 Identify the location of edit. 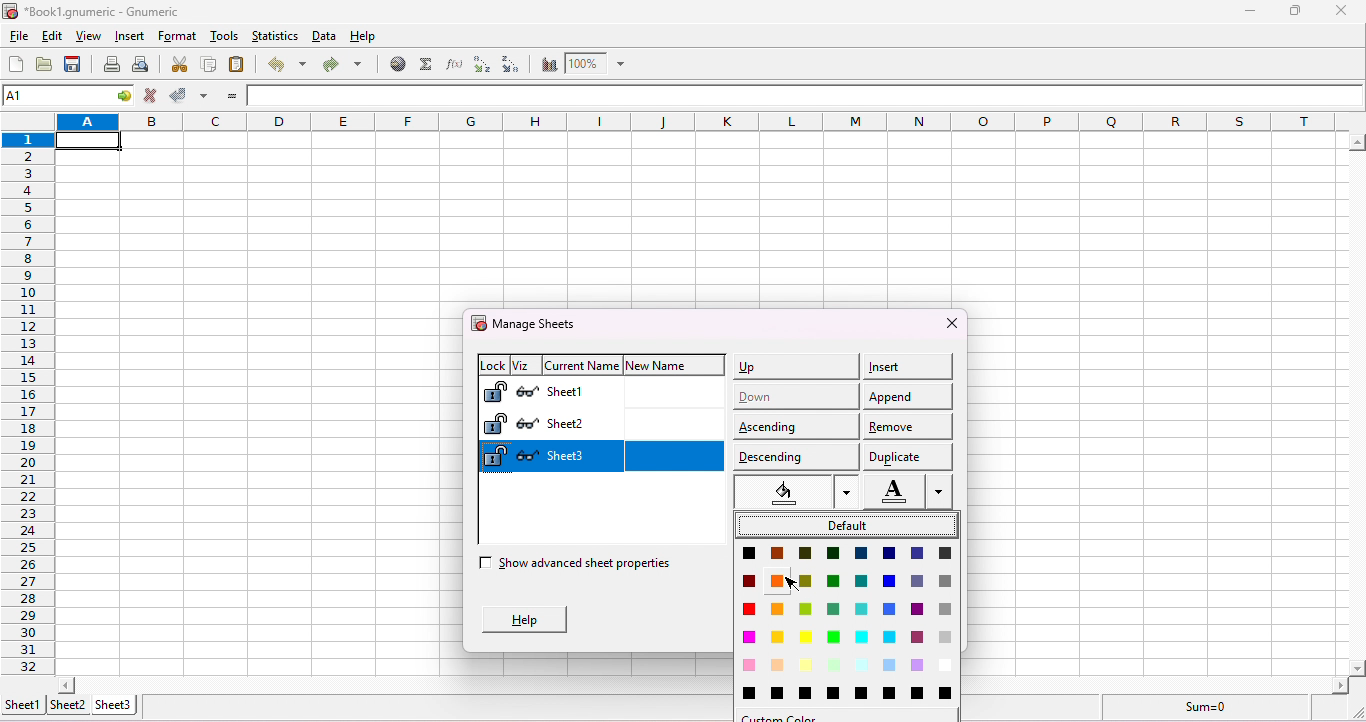
(47, 36).